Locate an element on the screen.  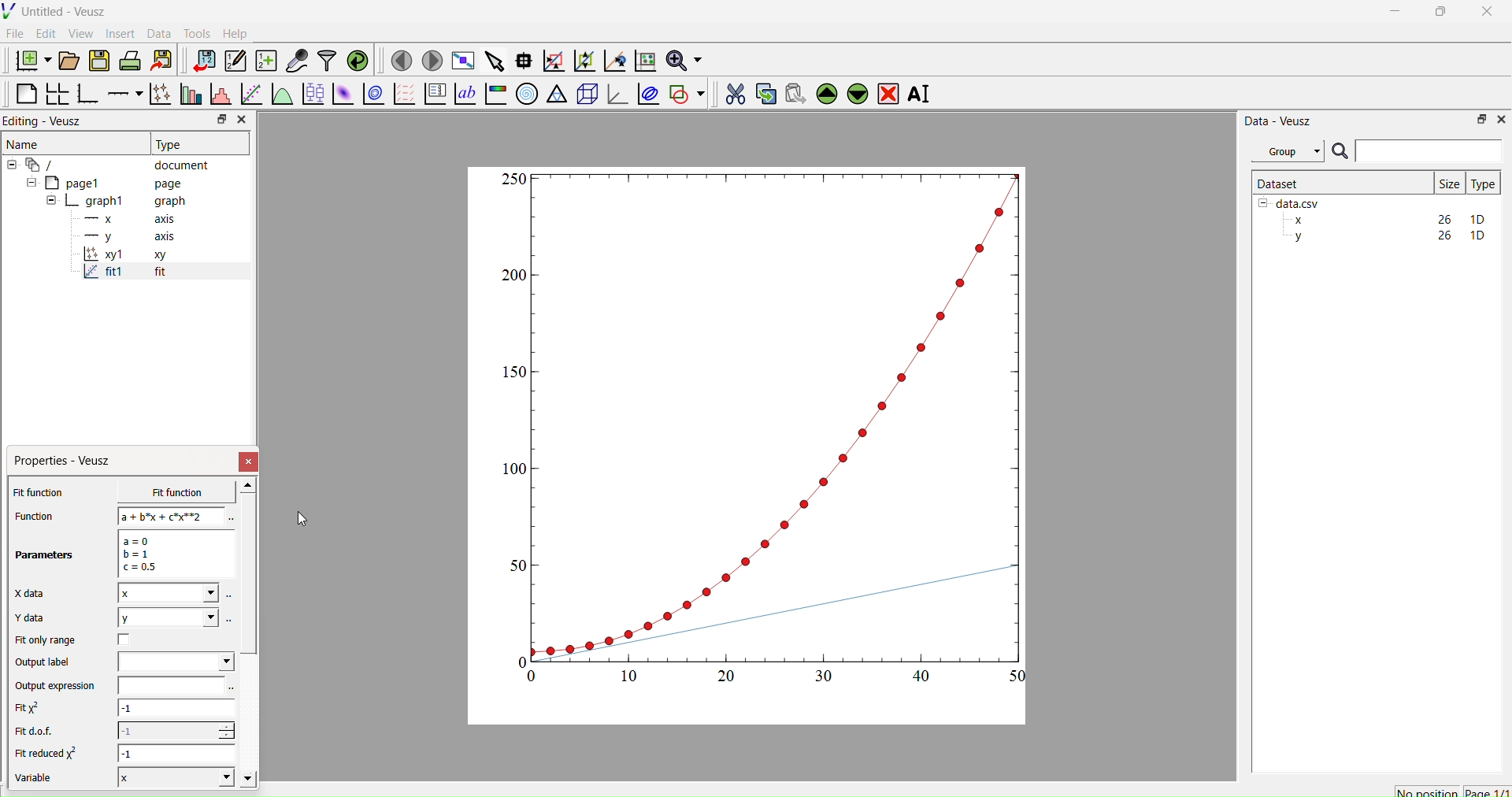
x axis is located at coordinates (128, 217).